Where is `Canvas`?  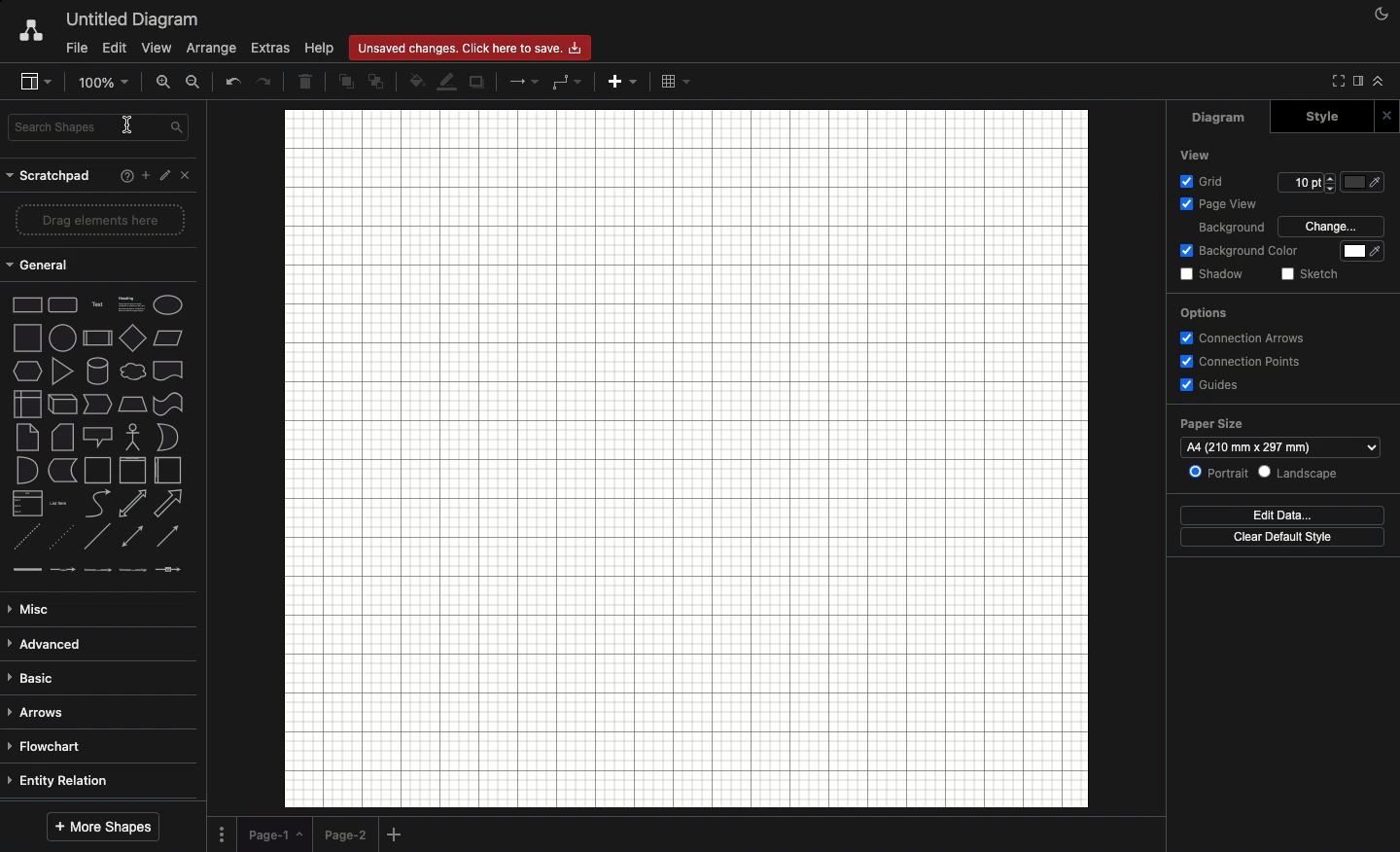
Canvas is located at coordinates (686, 458).